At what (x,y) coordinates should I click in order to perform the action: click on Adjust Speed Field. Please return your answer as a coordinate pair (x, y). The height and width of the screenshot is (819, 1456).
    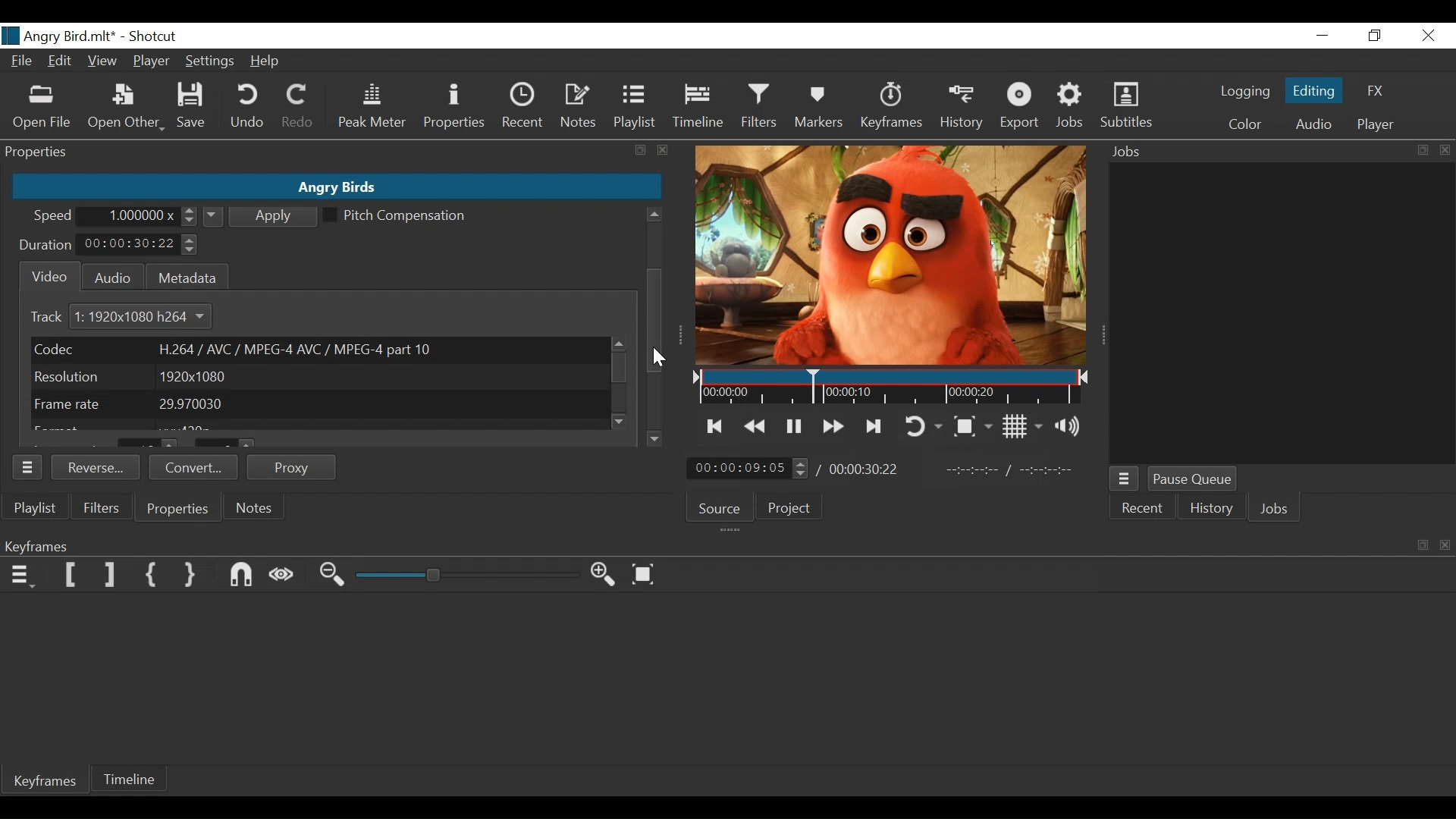
    Looking at the image, I should click on (143, 216).